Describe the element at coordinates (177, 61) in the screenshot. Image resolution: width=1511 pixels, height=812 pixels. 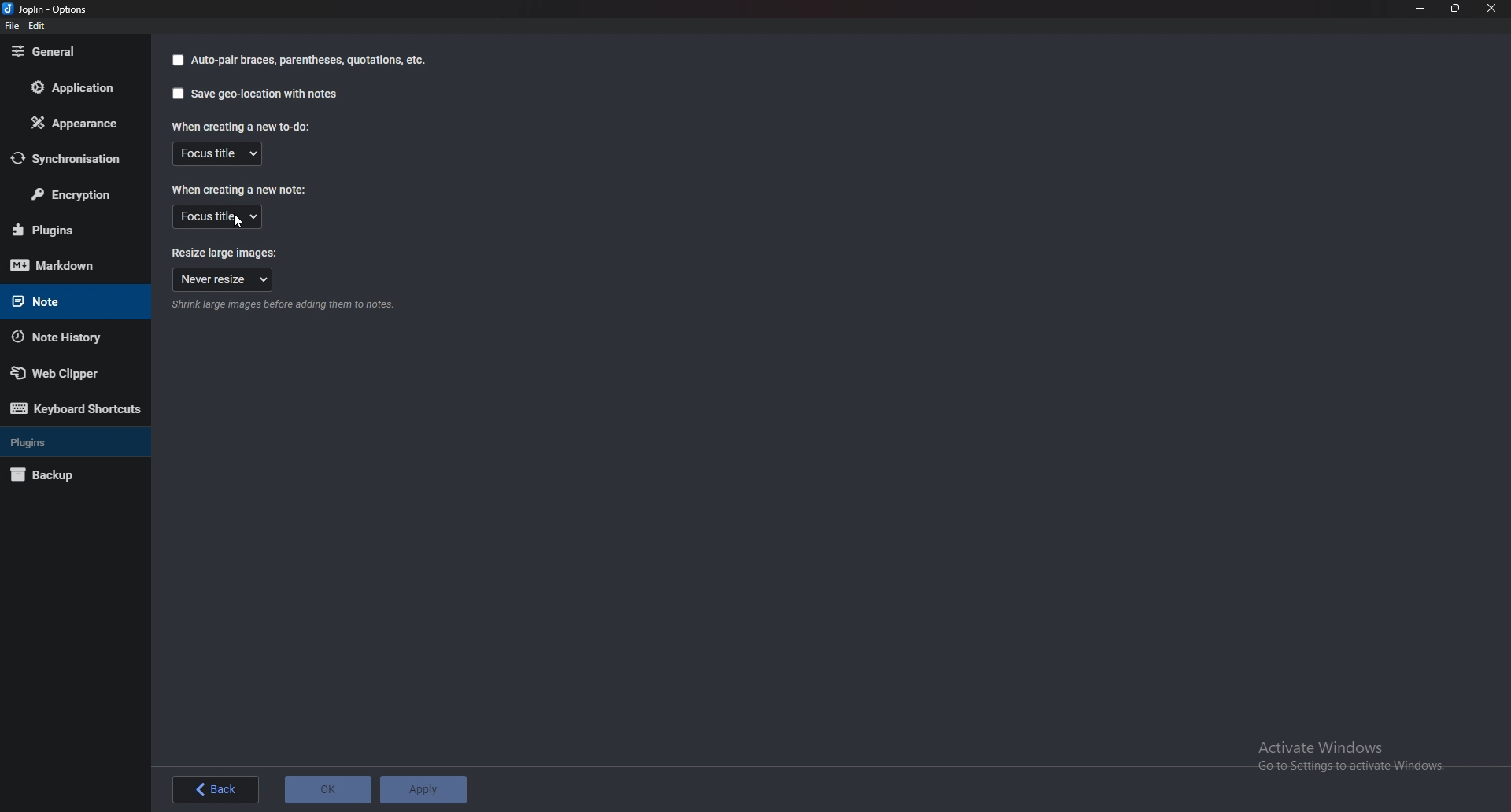
I see `Checkbox ` at that location.